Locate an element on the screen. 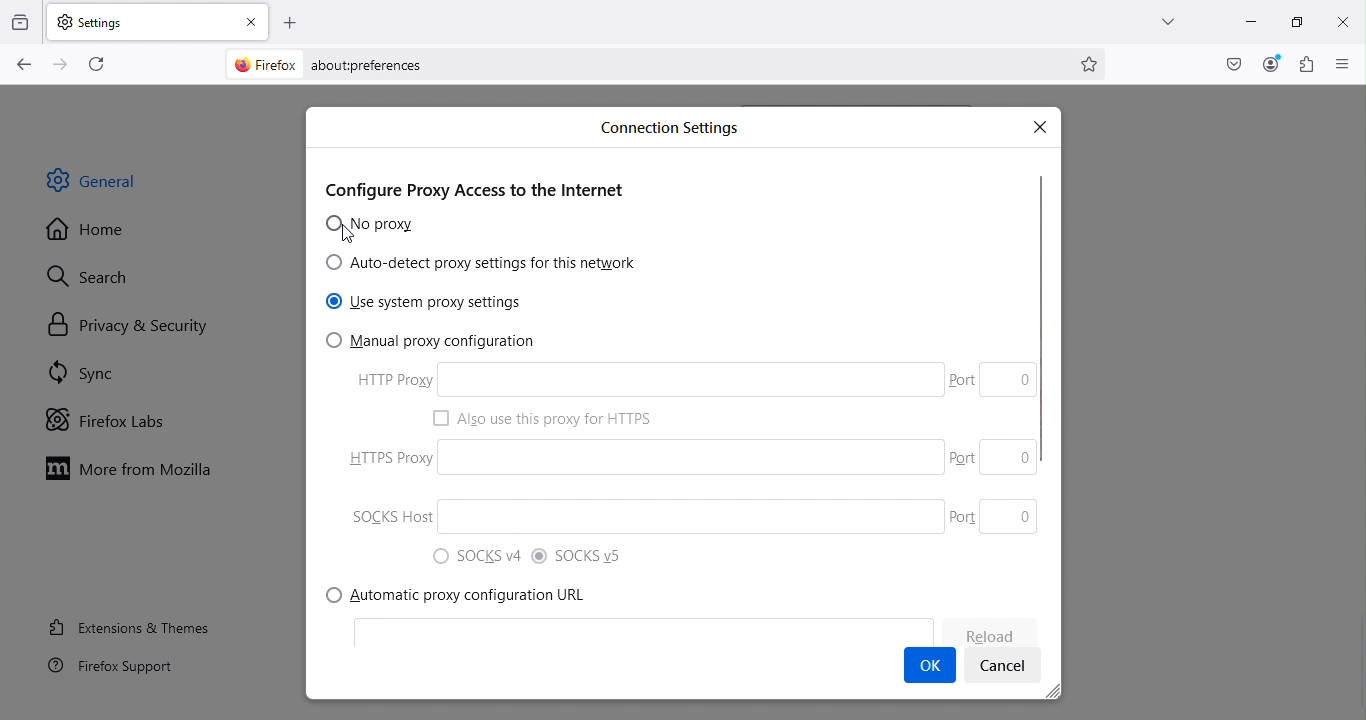  HTTP proxy is located at coordinates (644, 380).